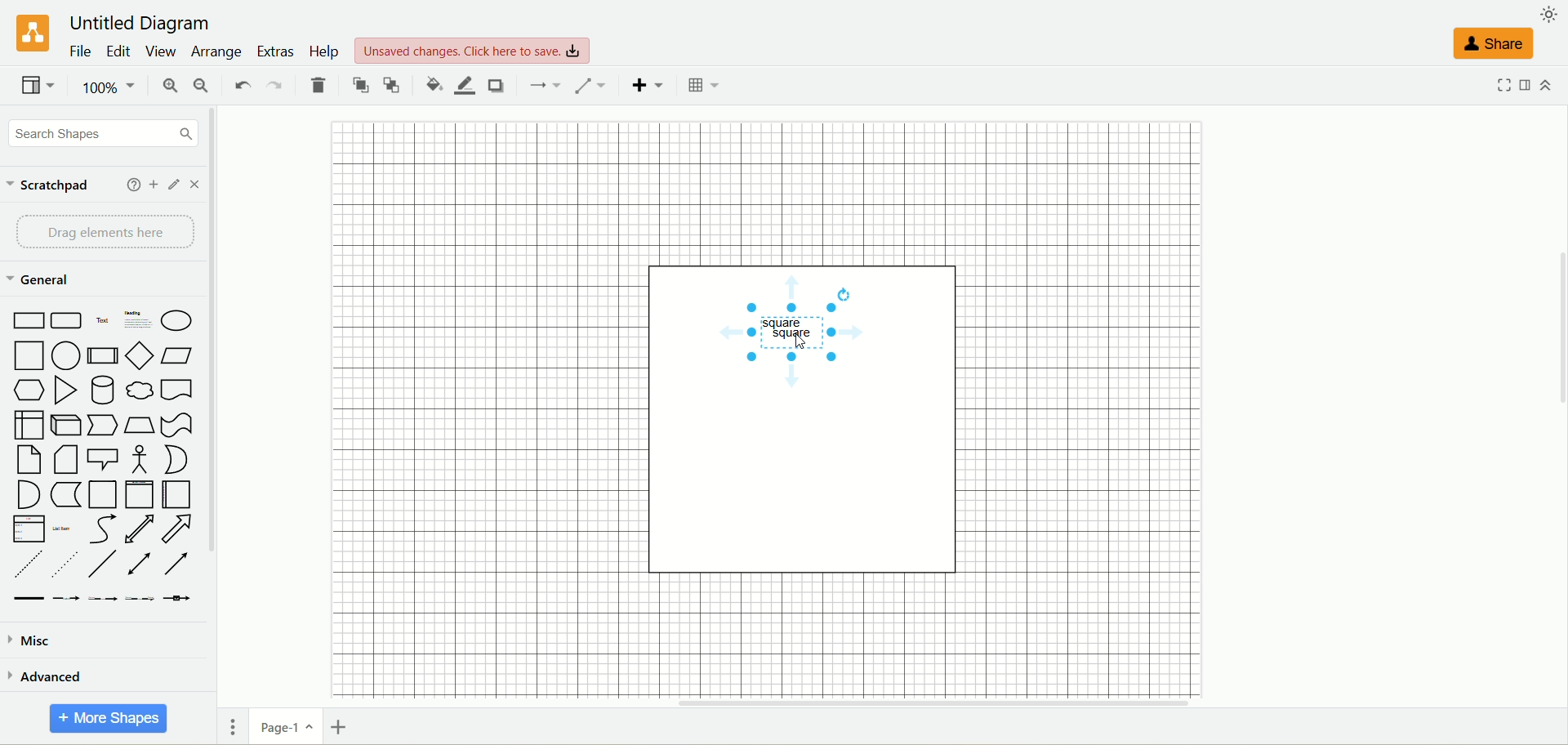  Describe the element at coordinates (241, 87) in the screenshot. I see `undo` at that location.